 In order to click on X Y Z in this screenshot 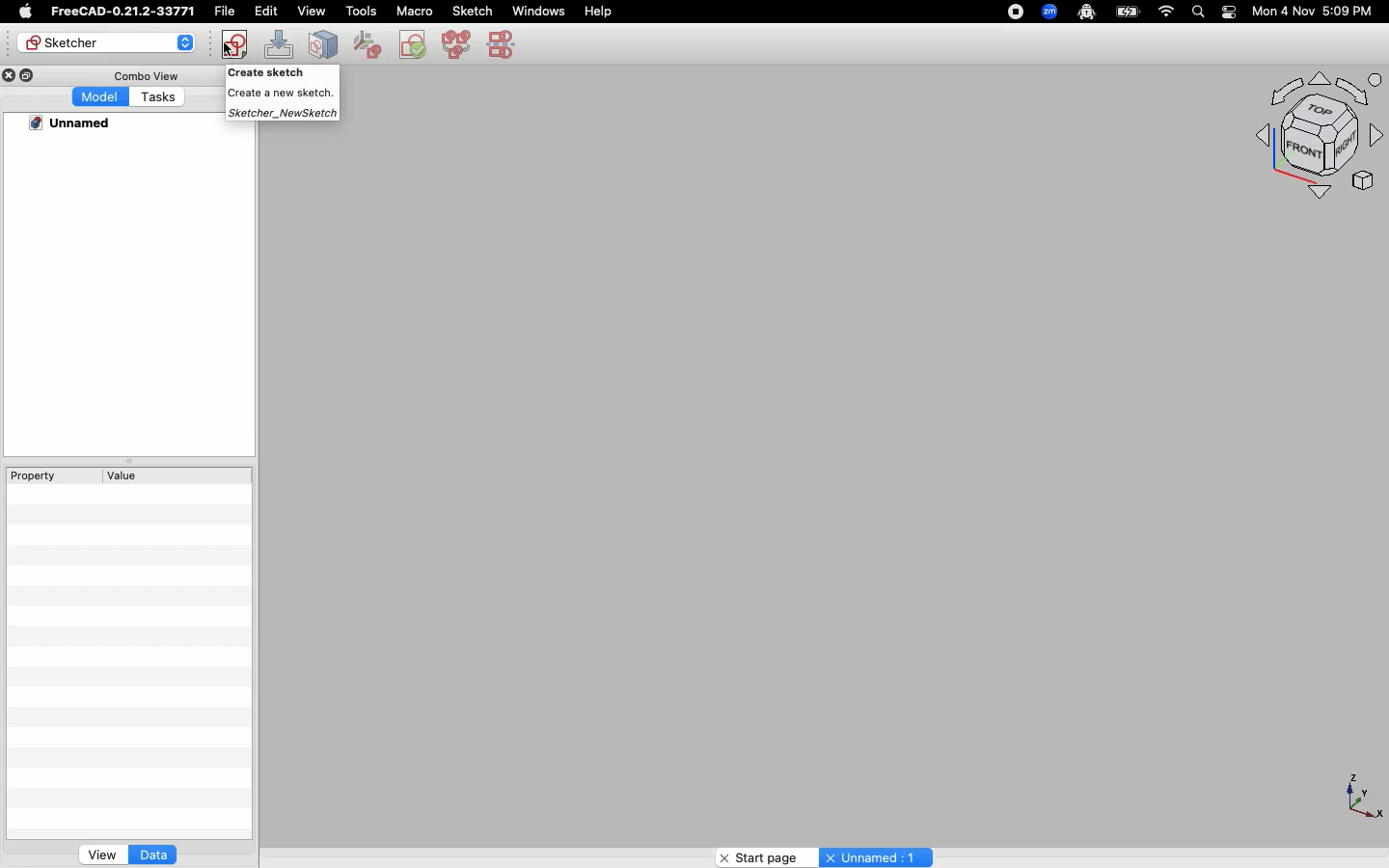, I will do `click(1358, 798)`.